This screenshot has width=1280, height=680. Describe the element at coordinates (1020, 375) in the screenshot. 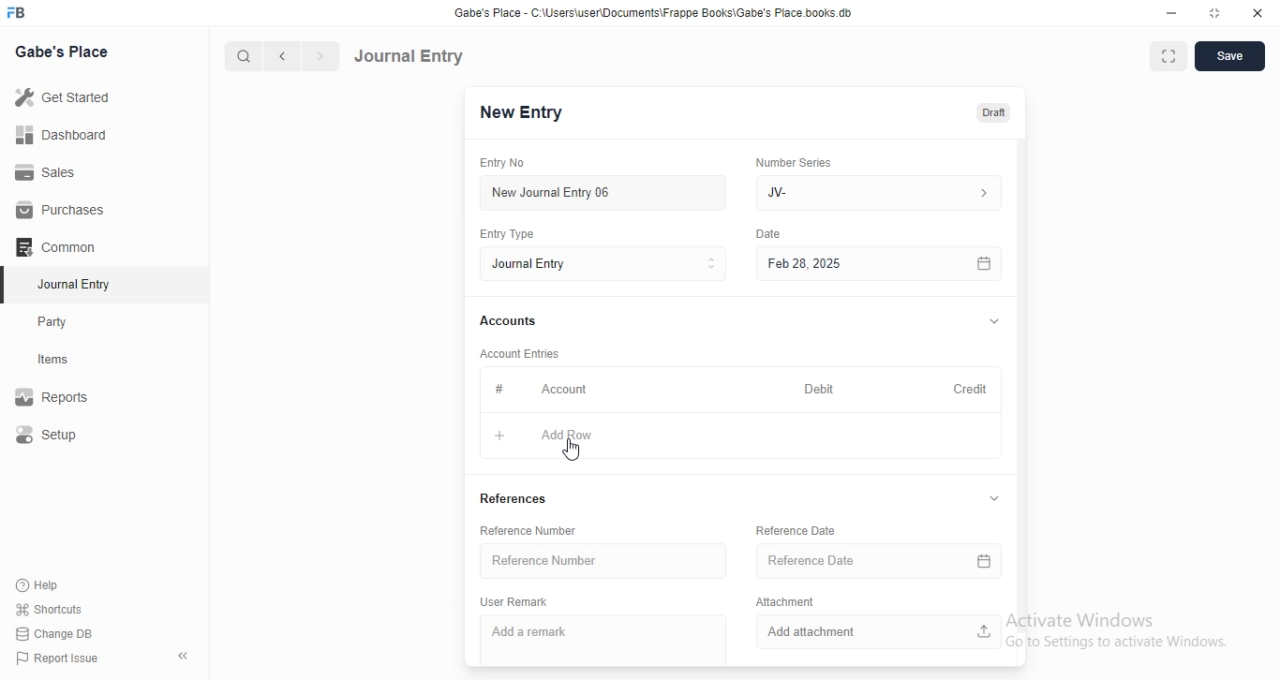

I see `vertical scrollbar` at that location.